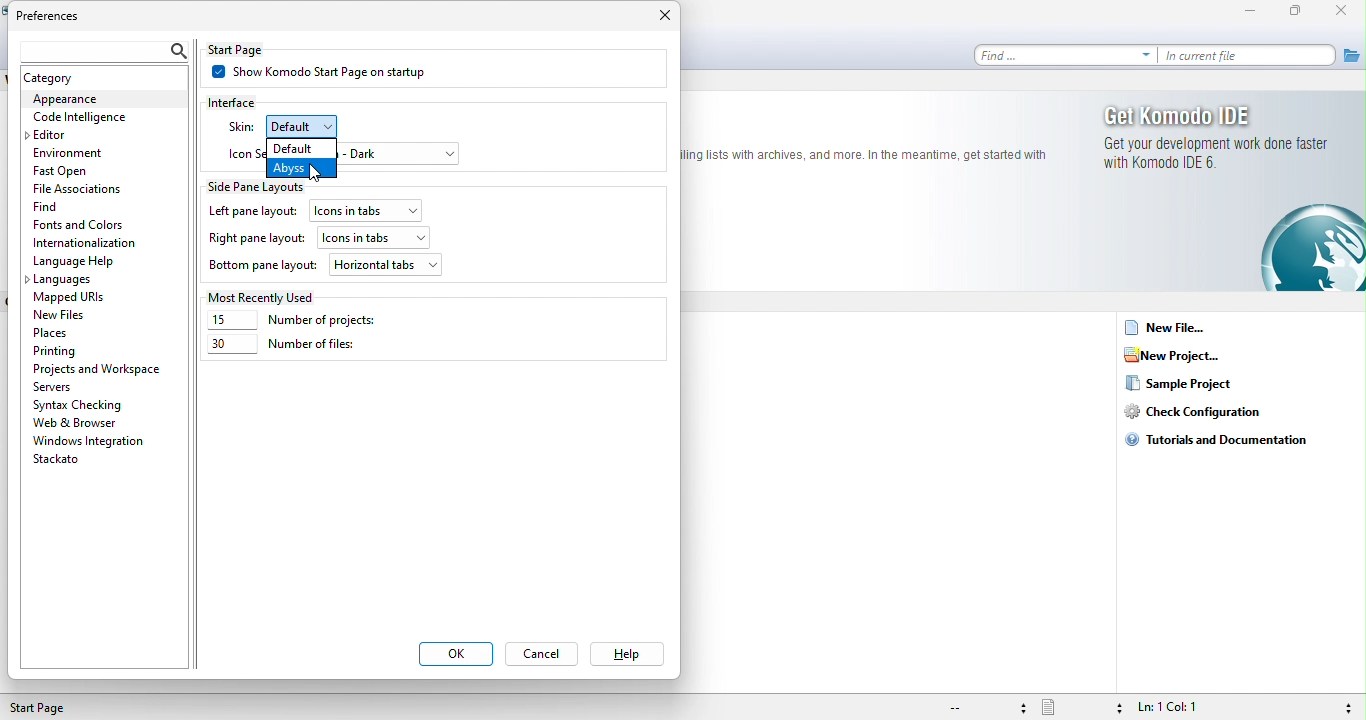  Describe the element at coordinates (401, 153) in the screenshot. I see `dark` at that location.